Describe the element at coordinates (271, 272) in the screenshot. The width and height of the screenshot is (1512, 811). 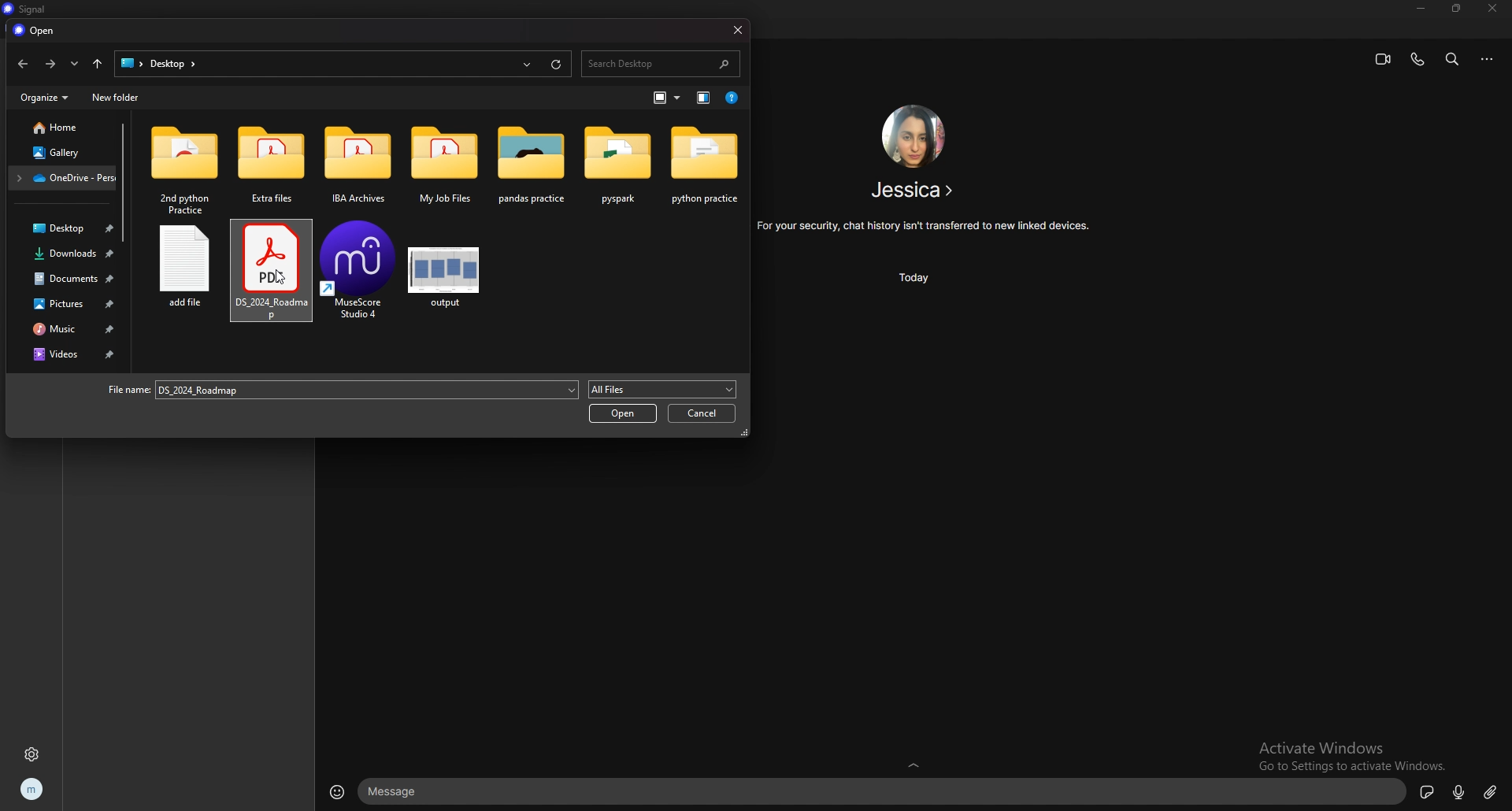
I see `chosen document` at that location.